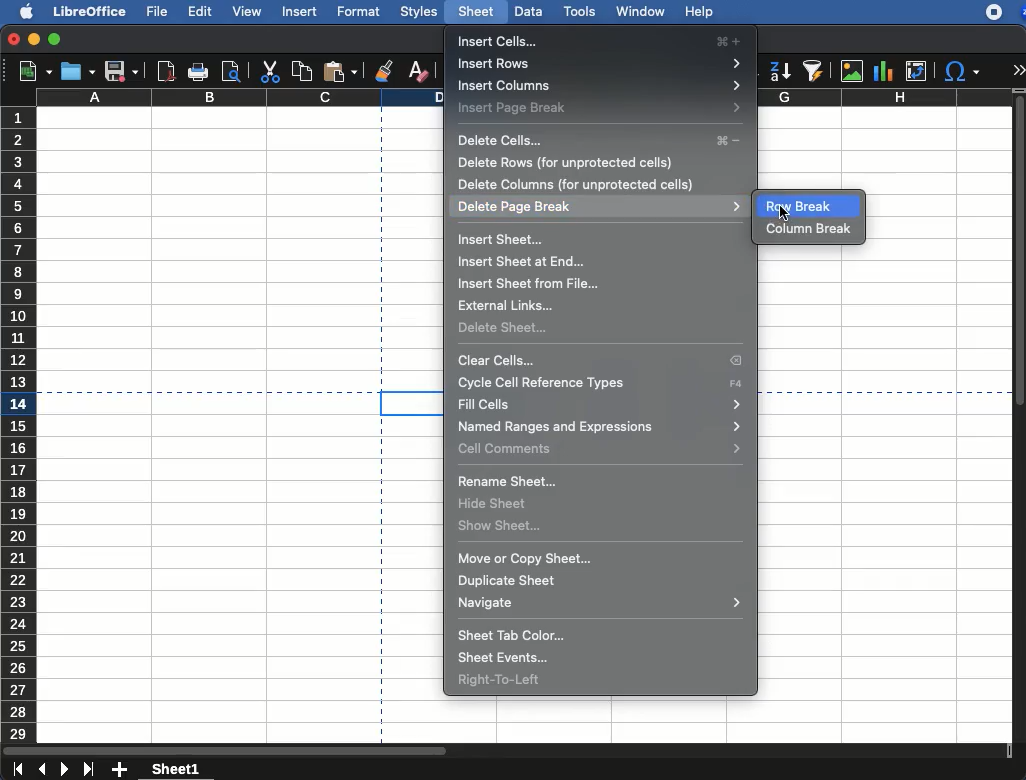 This screenshot has height=780, width=1026. I want to click on styles, so click(420, 11).